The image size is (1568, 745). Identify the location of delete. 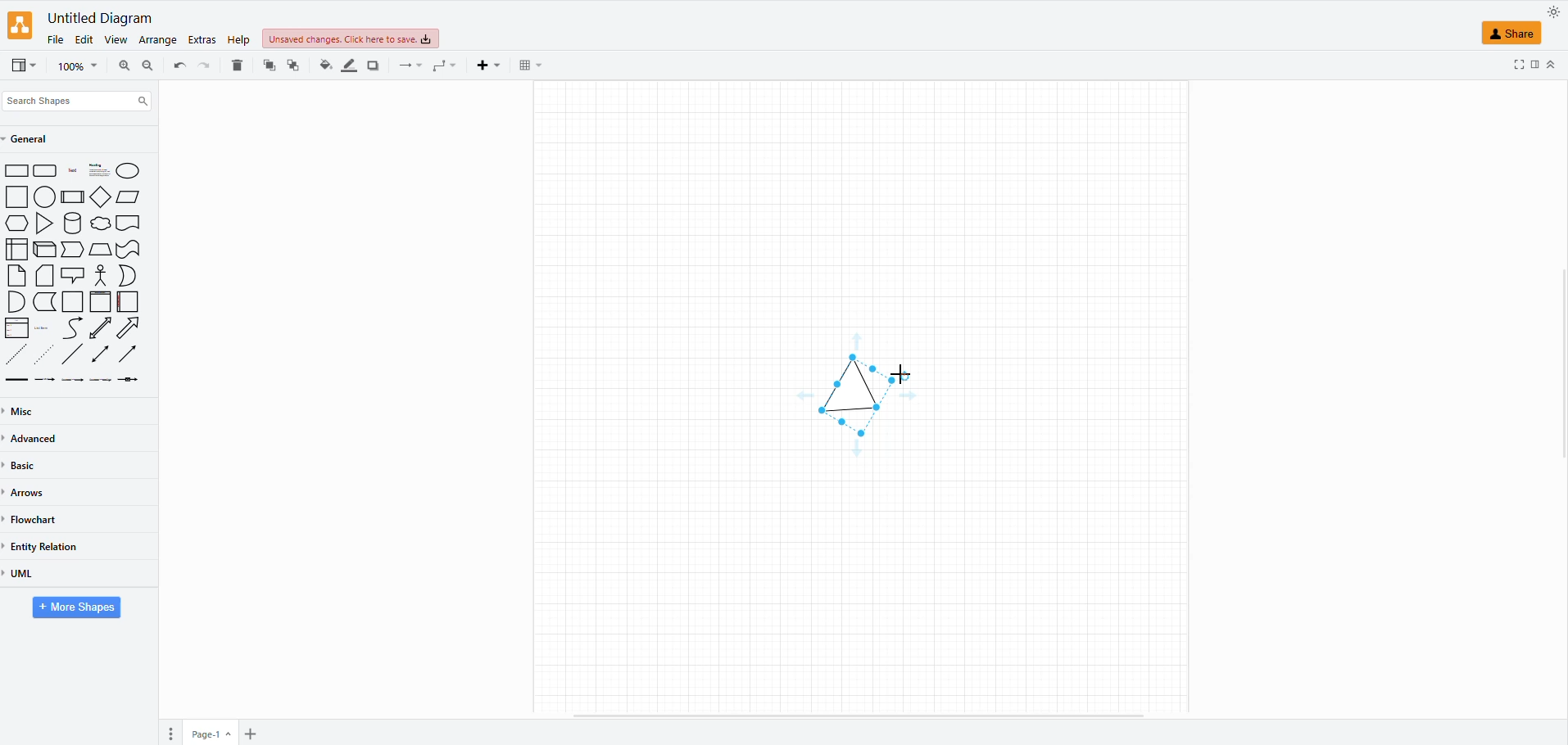
(238, 61).